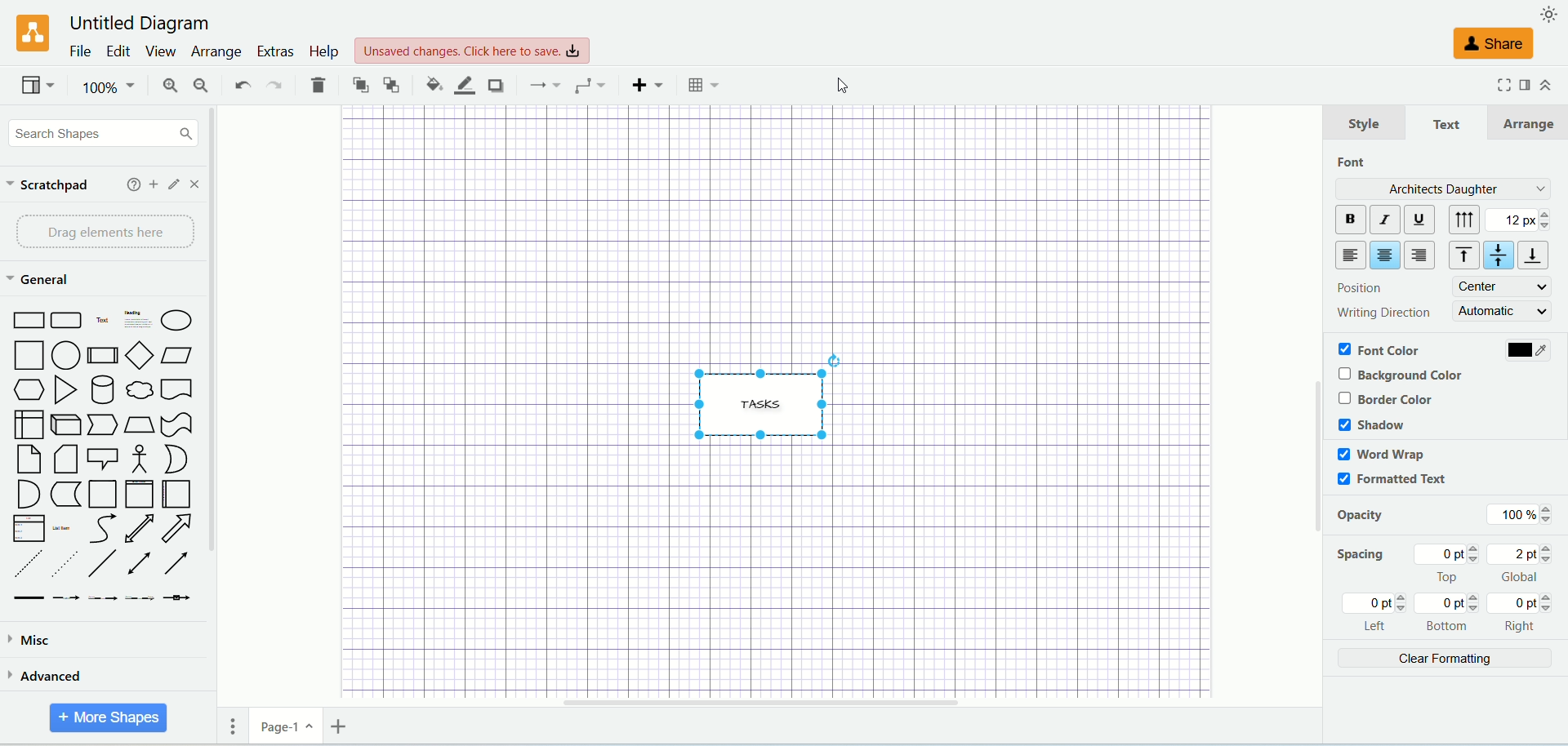  I want to click on drag elements here, so click(100, 233).